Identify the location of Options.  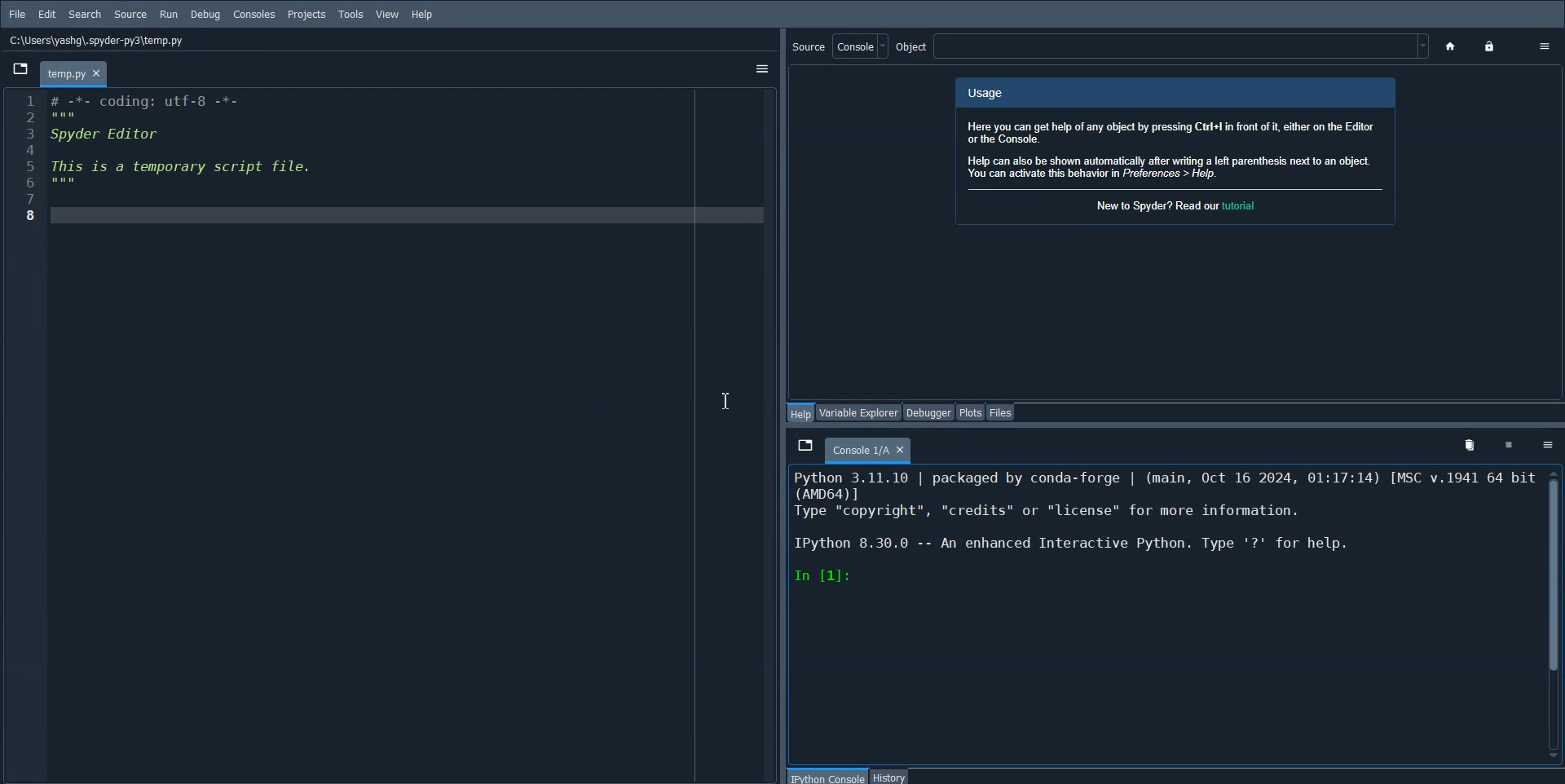
(1547, 46).